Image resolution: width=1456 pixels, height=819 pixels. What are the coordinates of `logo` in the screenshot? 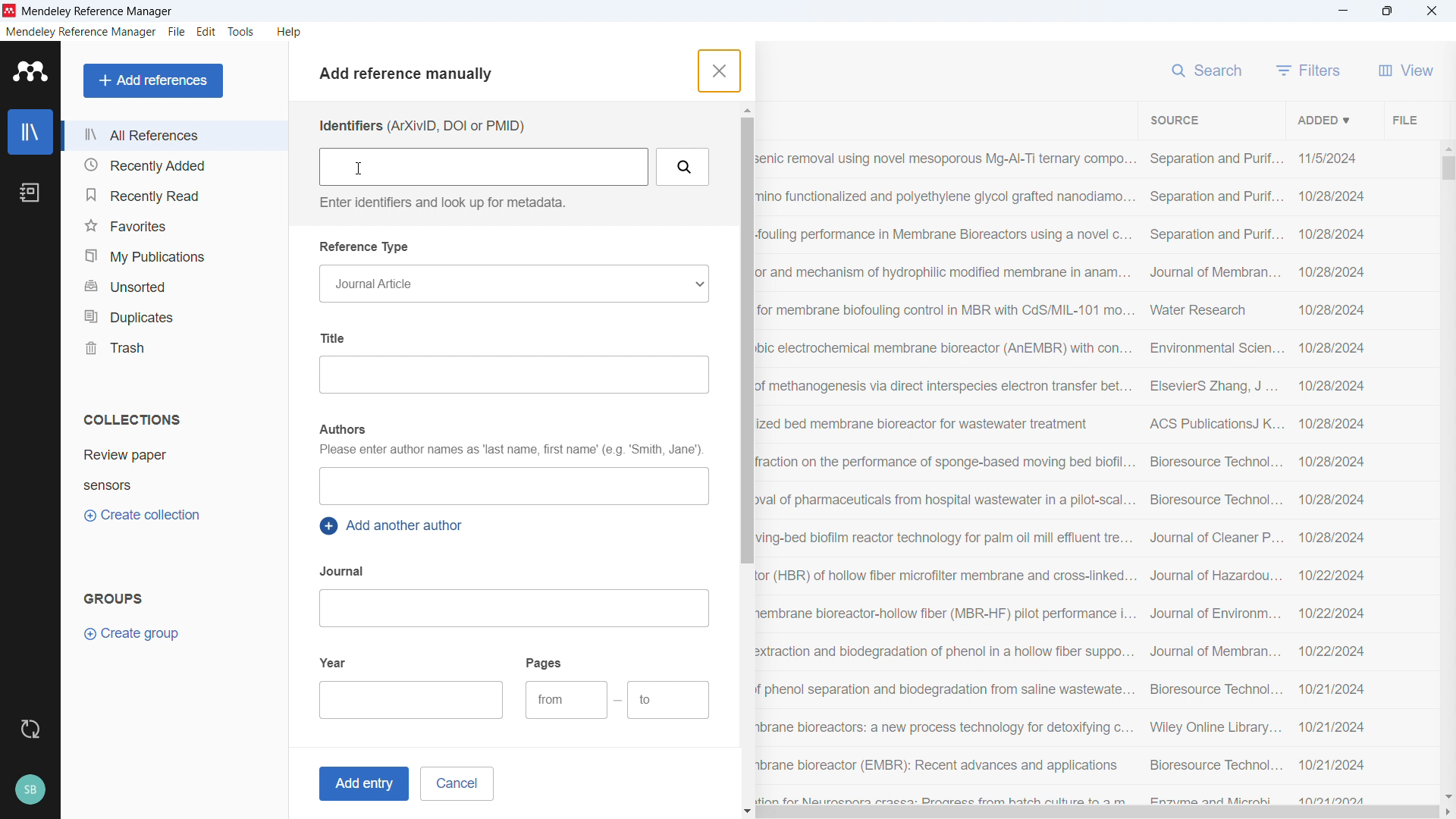 It's located at (10, 11).